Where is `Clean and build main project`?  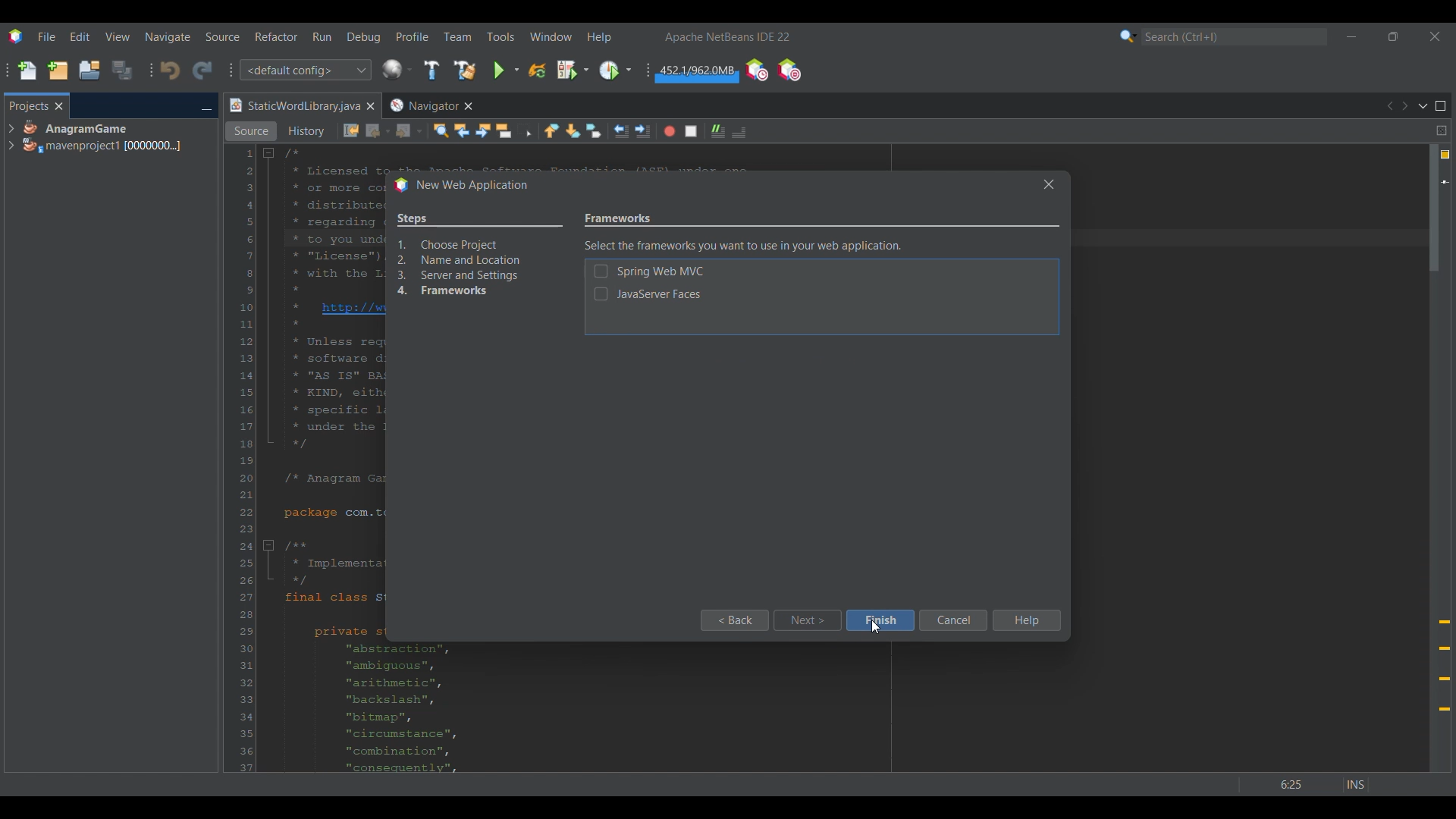
Clean and build main project is located at coordinates (464, 70).